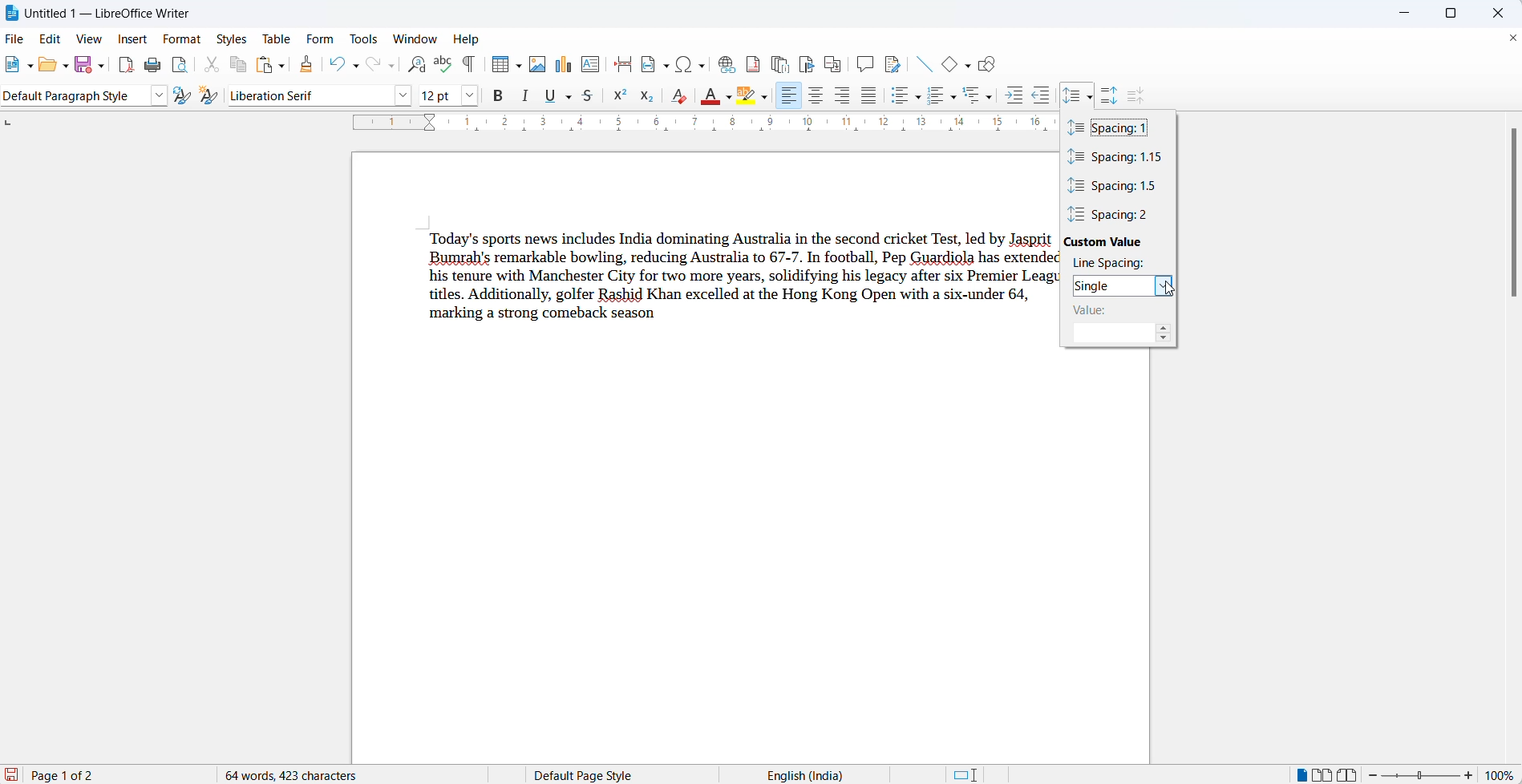 The image size is (1522, 784). Describe the element at coordinates (1401, 15) in the screenshot. I see `minimize` at that location.